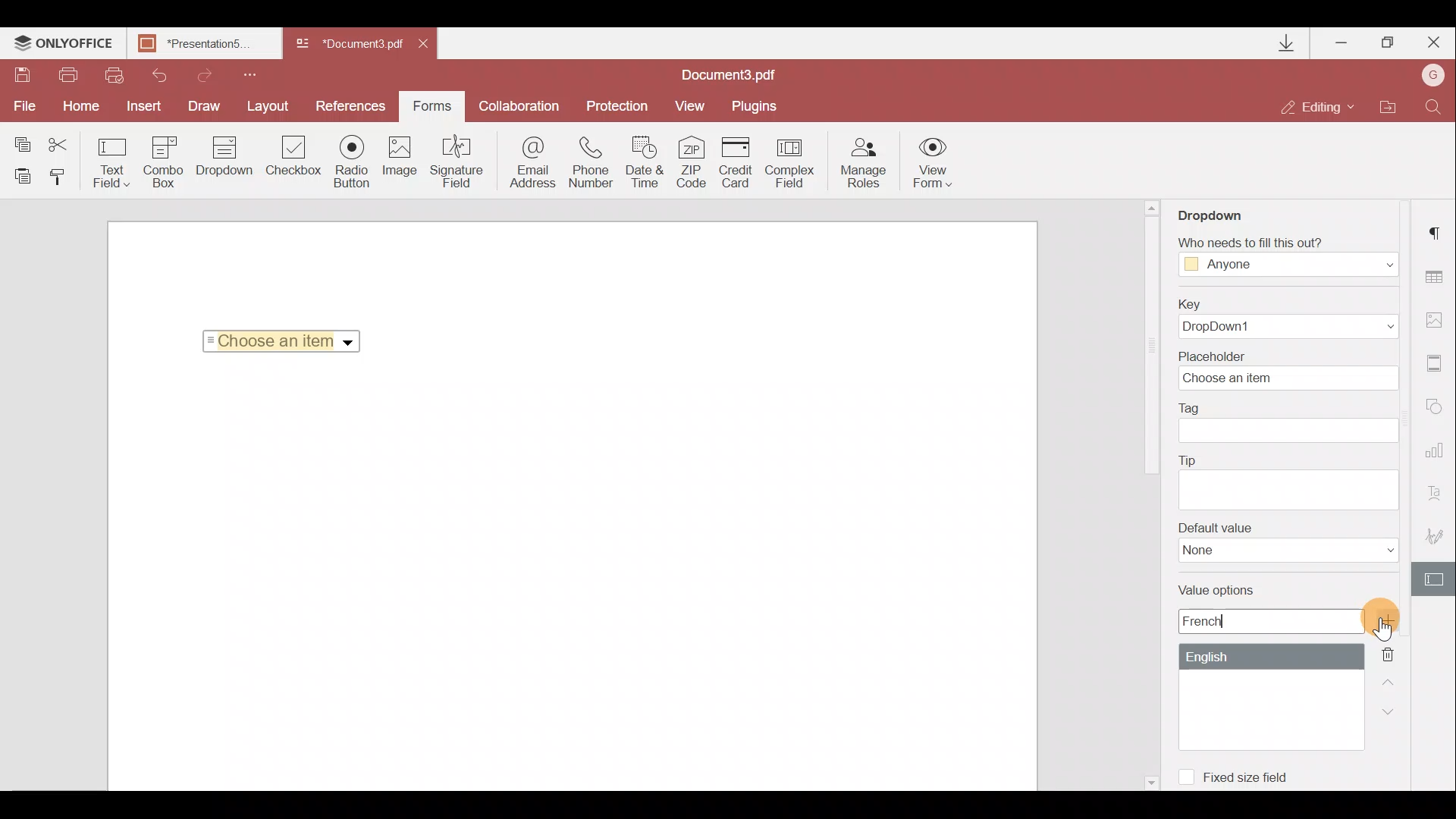 The height and width of the screenshot is (819, 1456). What do you see at coordinates (1343, 39) in the screenshot?
I see `Minimize` at bounding box center [1343, 39].